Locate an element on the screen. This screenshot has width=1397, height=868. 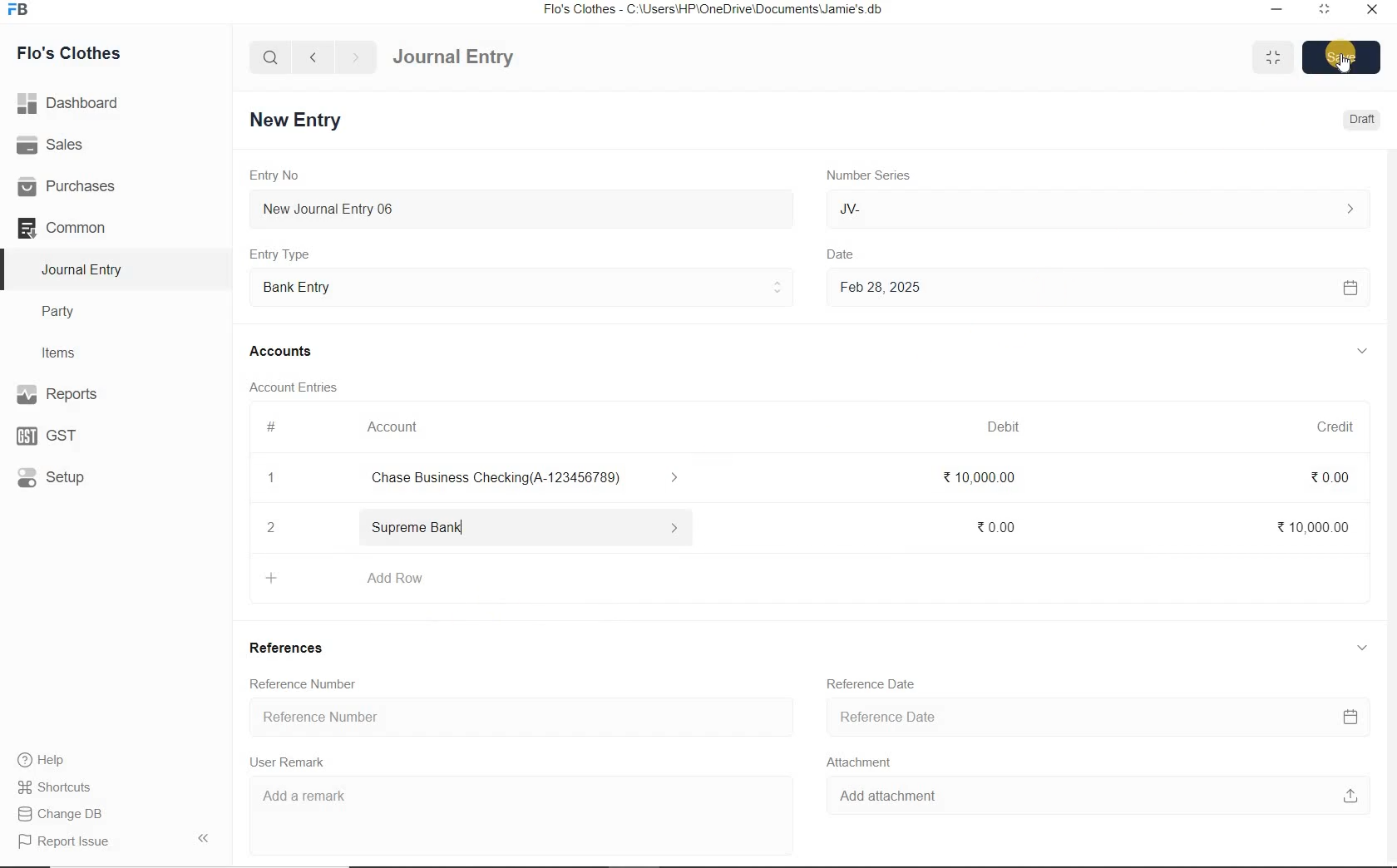
Reference Number is located at coordinates (297, 684).